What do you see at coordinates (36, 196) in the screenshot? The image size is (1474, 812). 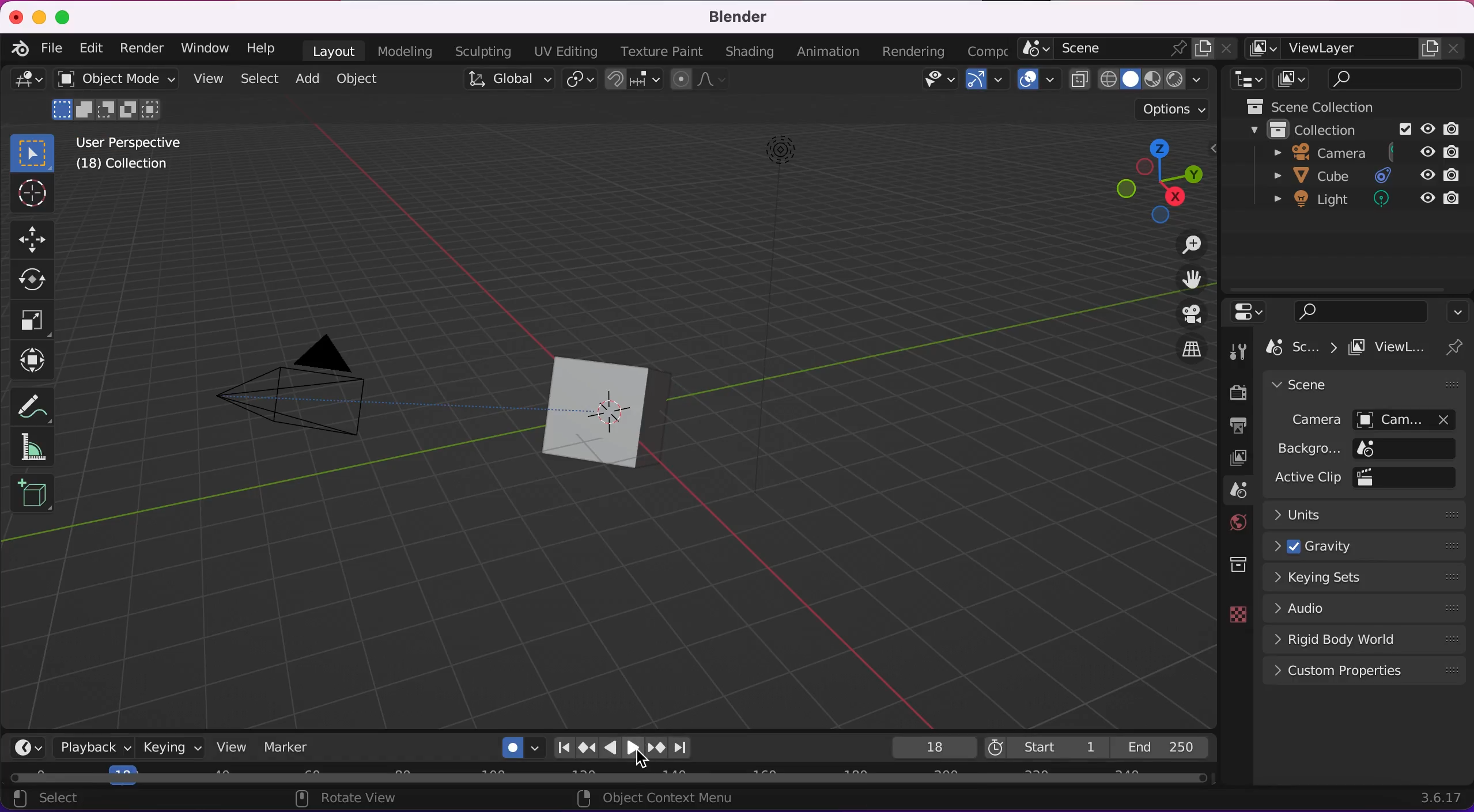 I see `cursor` at bounding box center [36, 196].